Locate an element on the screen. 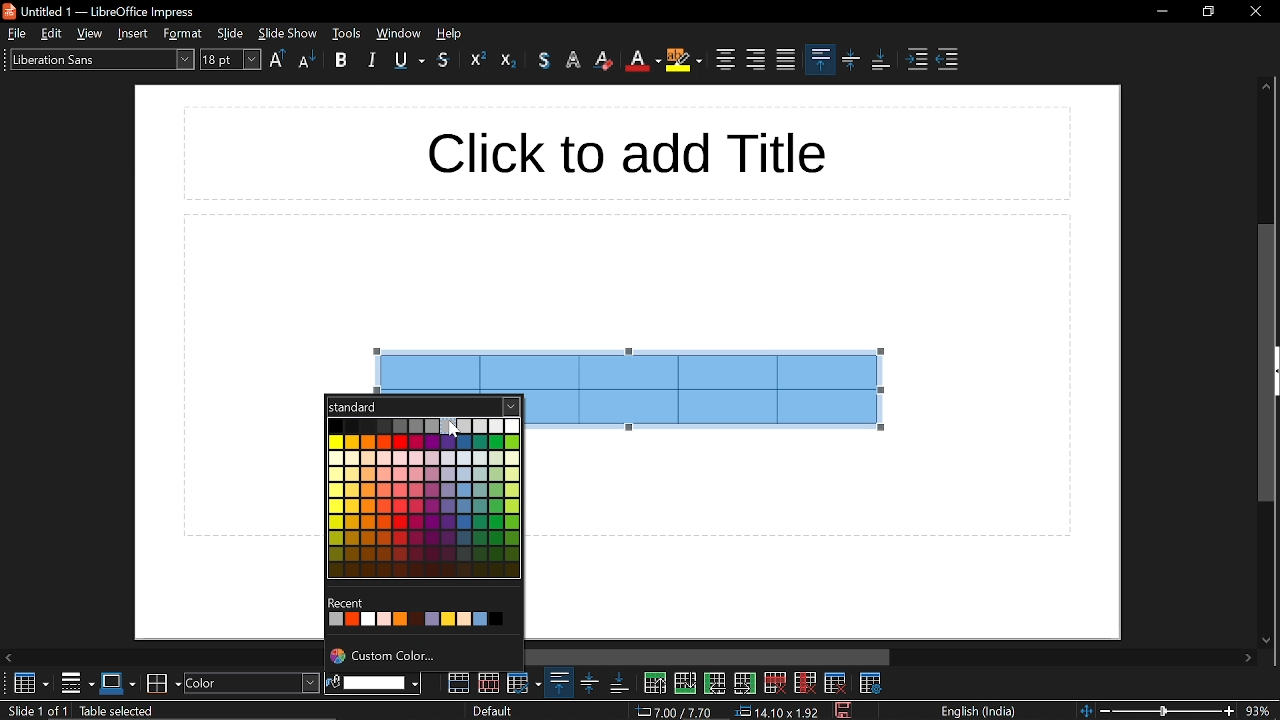  decrease indent is located at coordinates (949, 58).